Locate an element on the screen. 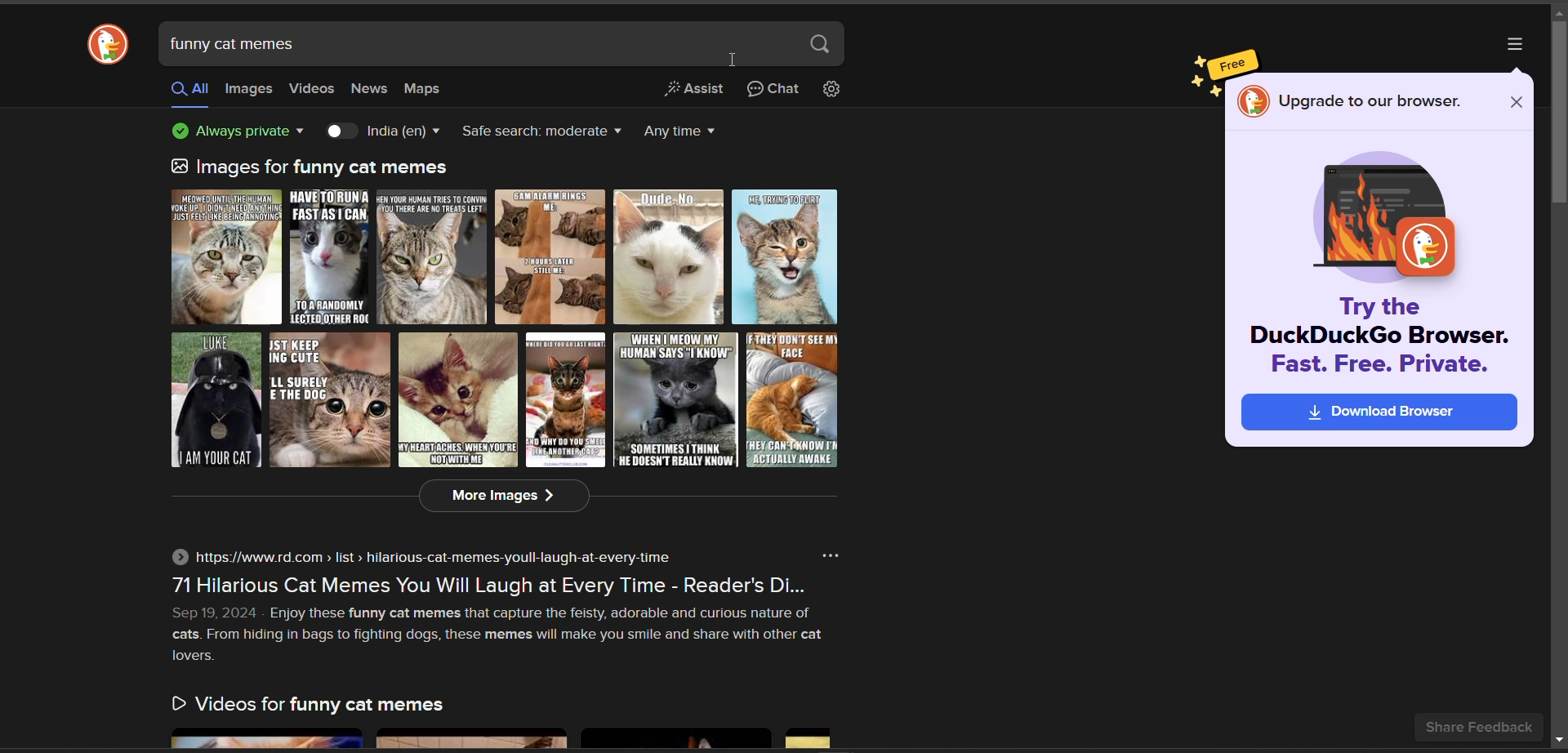 Image resolution: width=1568 pixels, height=753 pixels. upgrade to our browser is located at coordinates (1373, 103).